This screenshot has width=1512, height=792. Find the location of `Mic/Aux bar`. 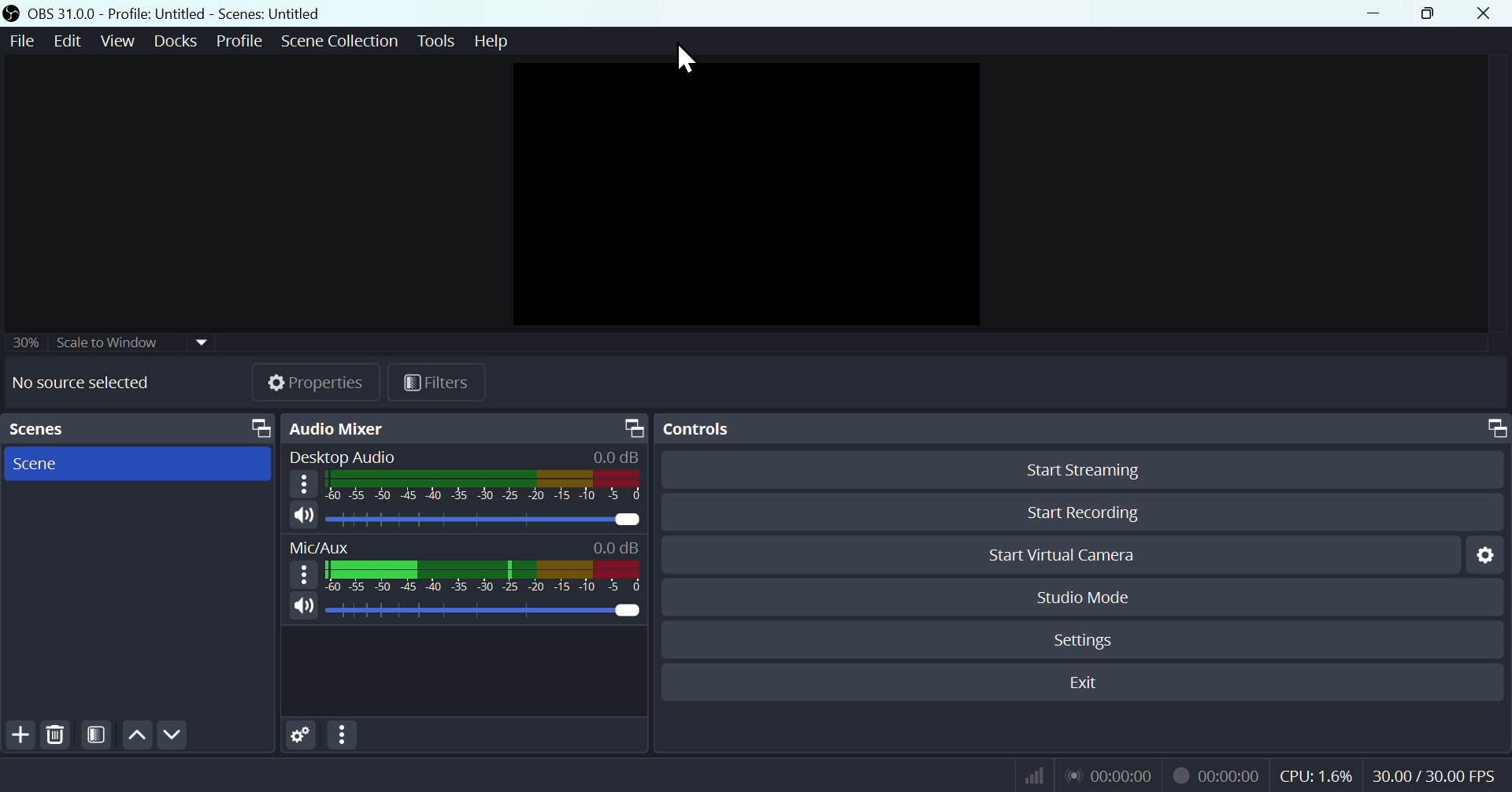

Mic/Aux bar is located at coordinates (484, 576).